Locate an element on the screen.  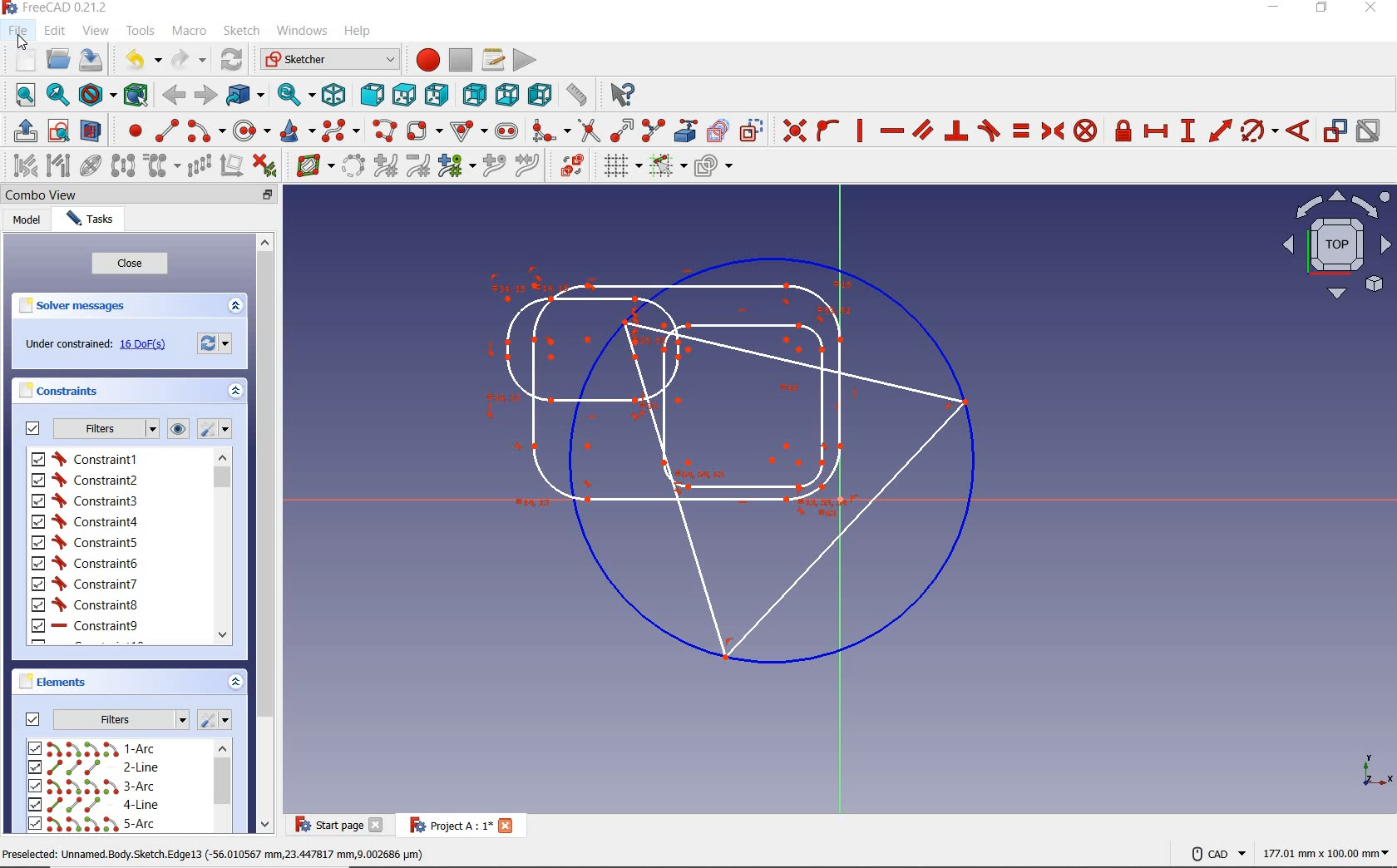
restore down is located at coordinates (1322, 8).